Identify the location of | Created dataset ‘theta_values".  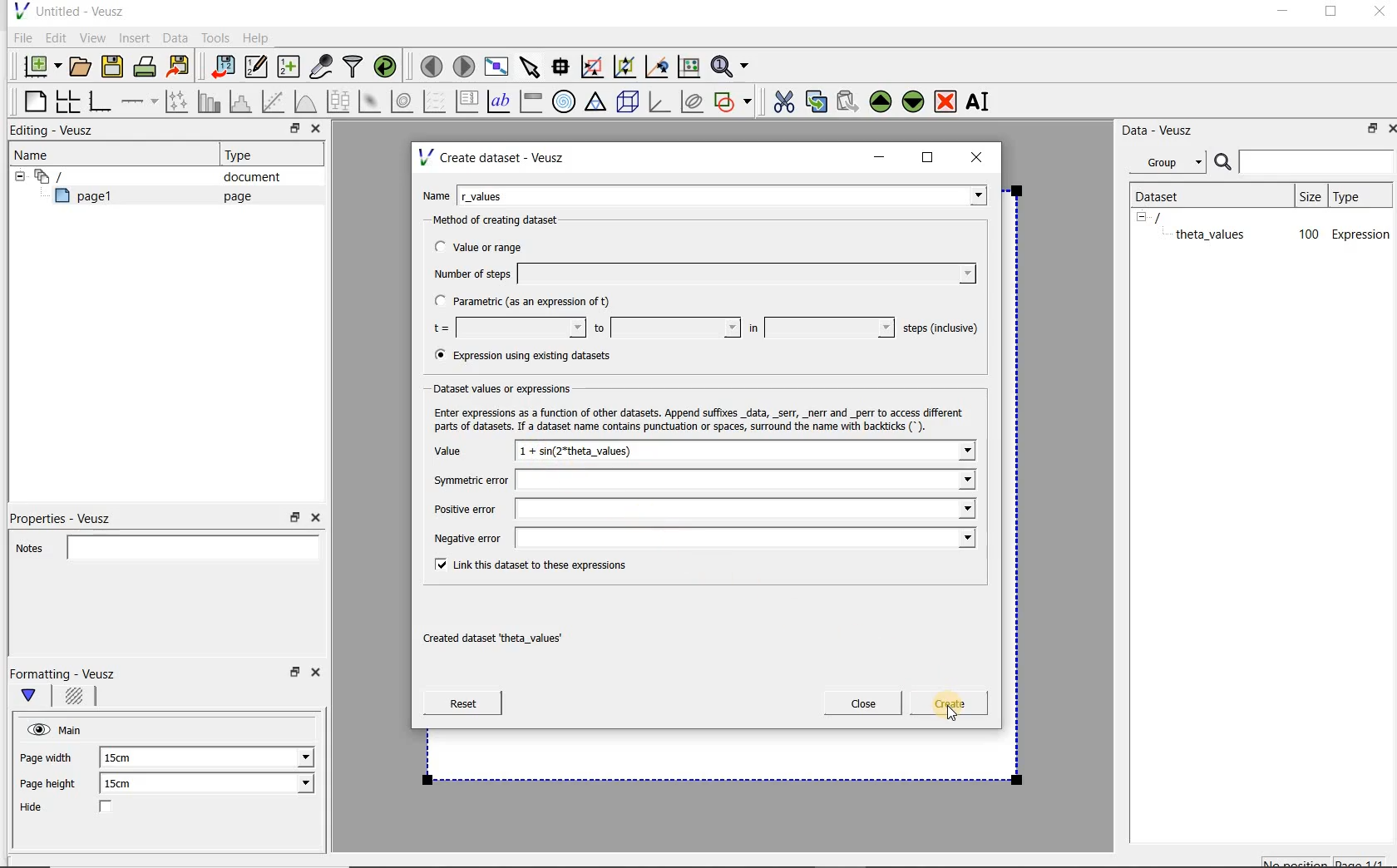
(511, 633).